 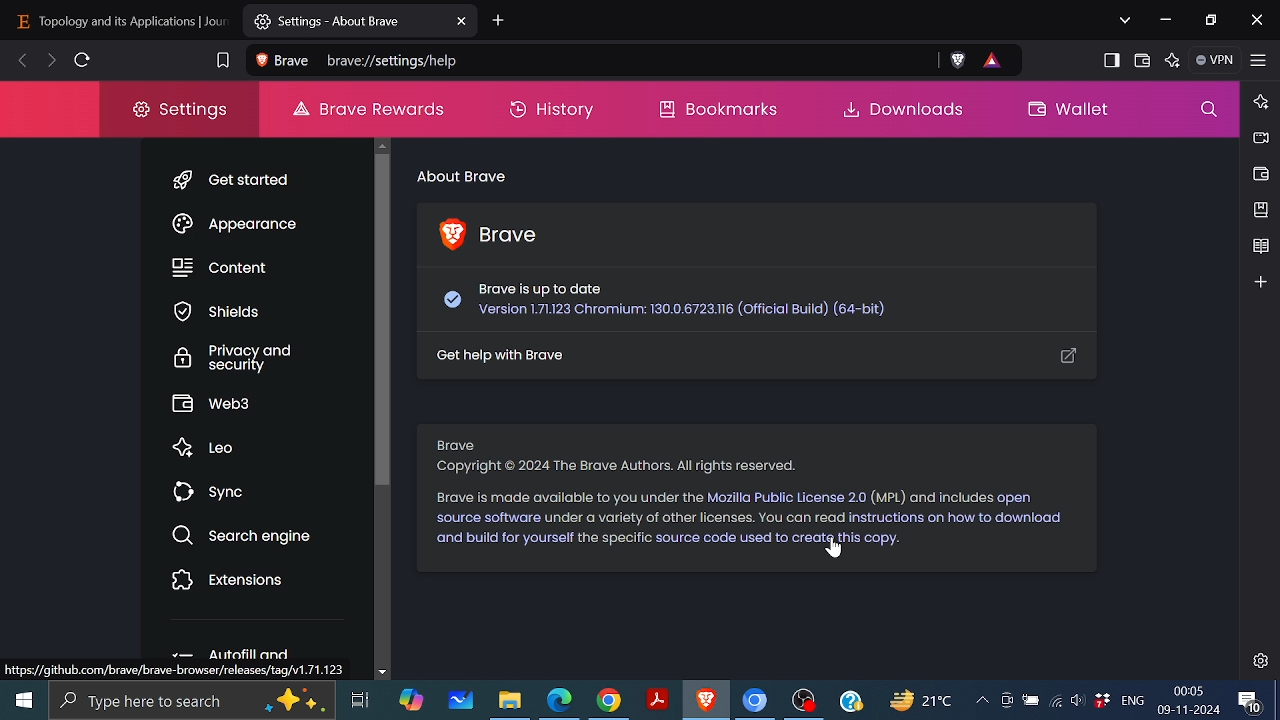 What do you see at coordinates (210, 448) in the screenshot?
I see `Leo` at bounding box center [210, 448].